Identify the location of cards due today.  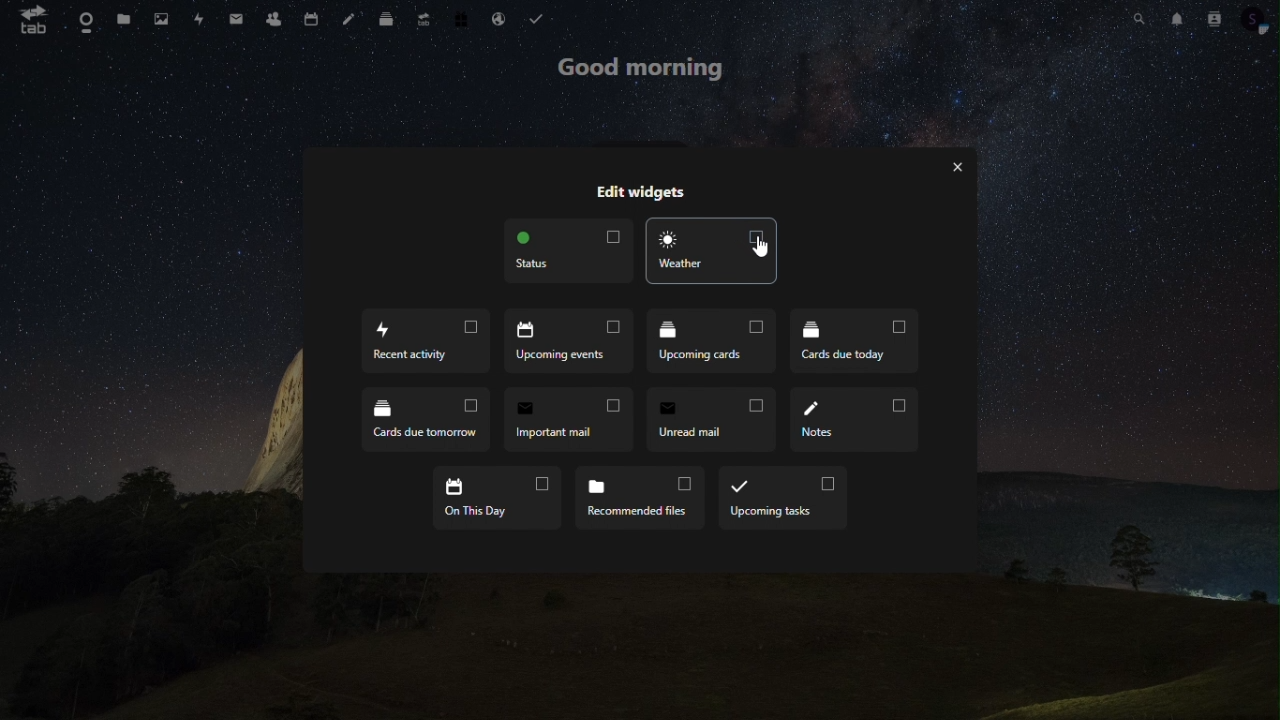
(852, 340).